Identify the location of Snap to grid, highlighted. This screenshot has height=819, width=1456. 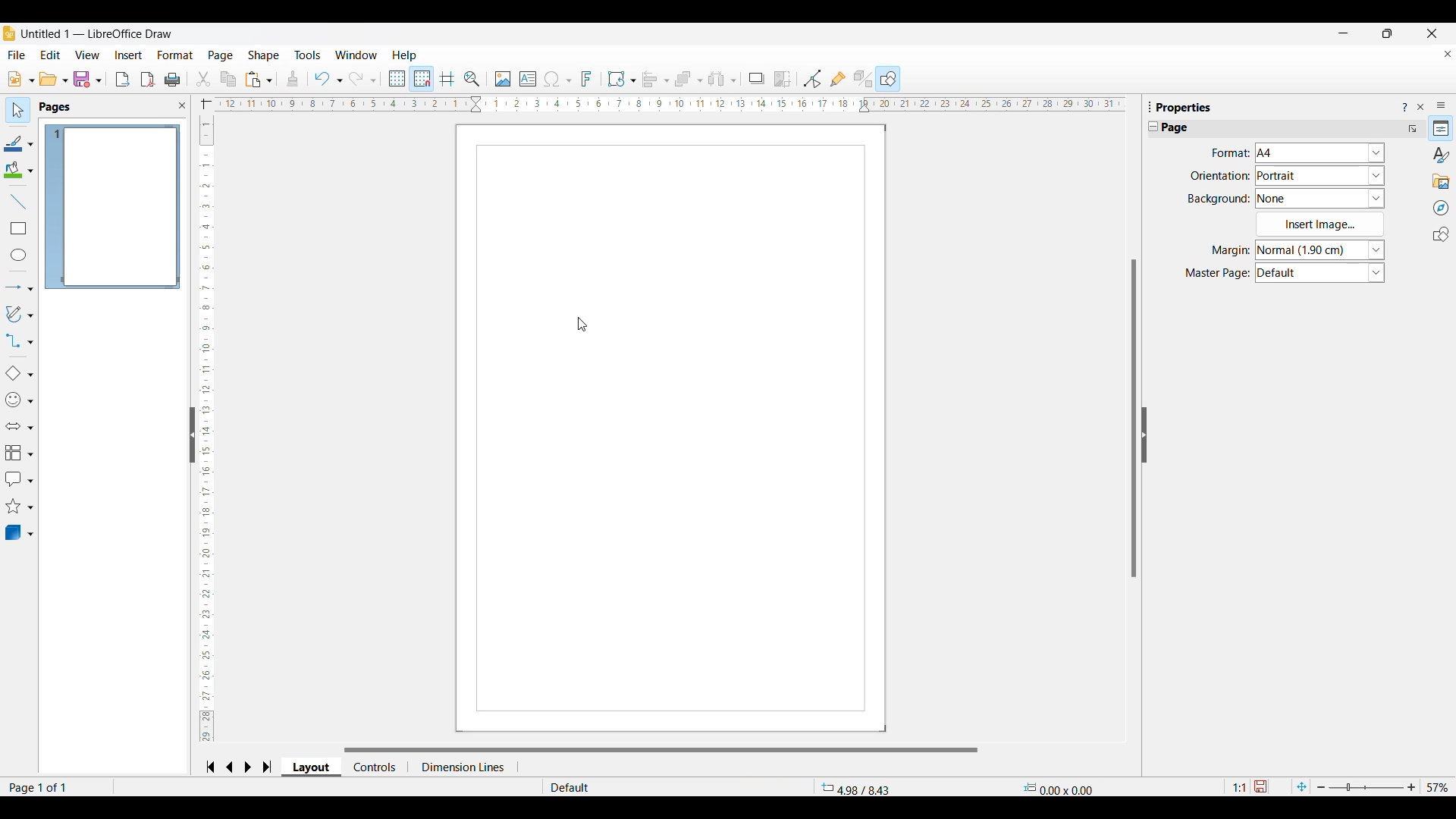
(421, 79).